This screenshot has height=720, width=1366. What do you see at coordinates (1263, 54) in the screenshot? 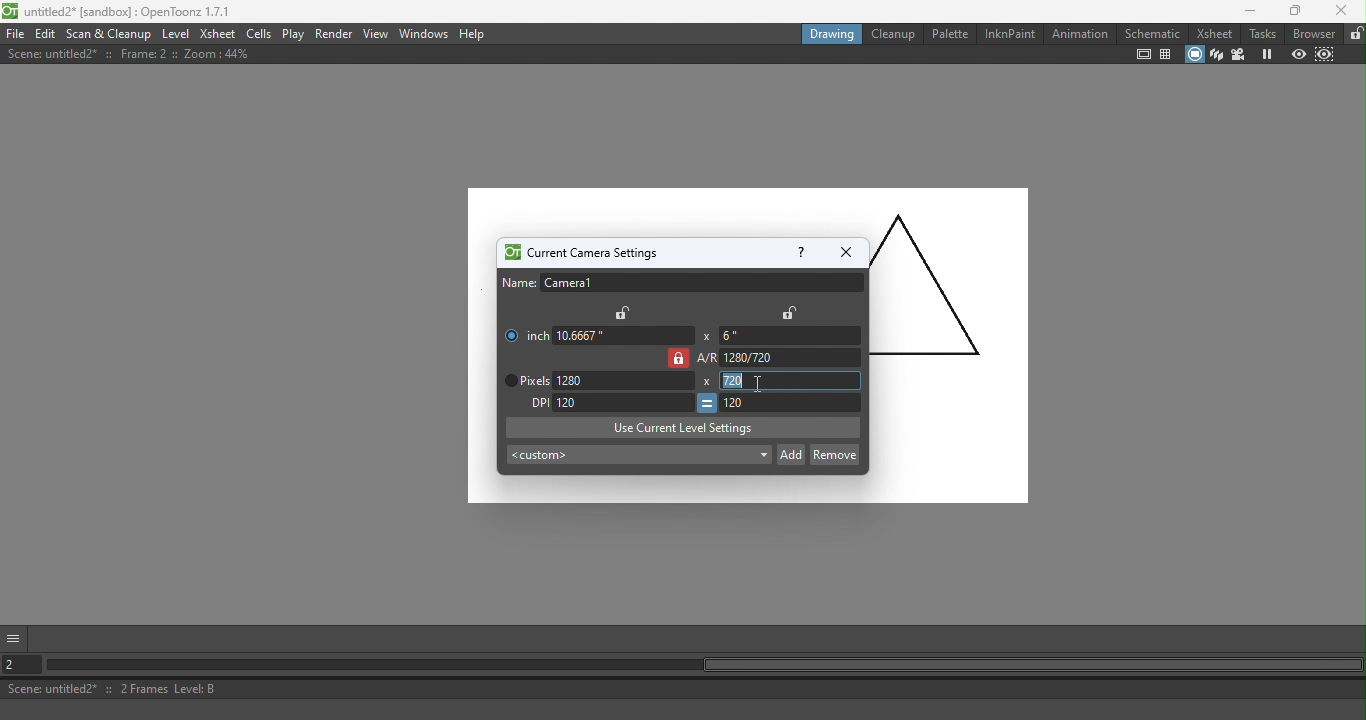
I see `Freeze` at bounding box center [1263, 54].